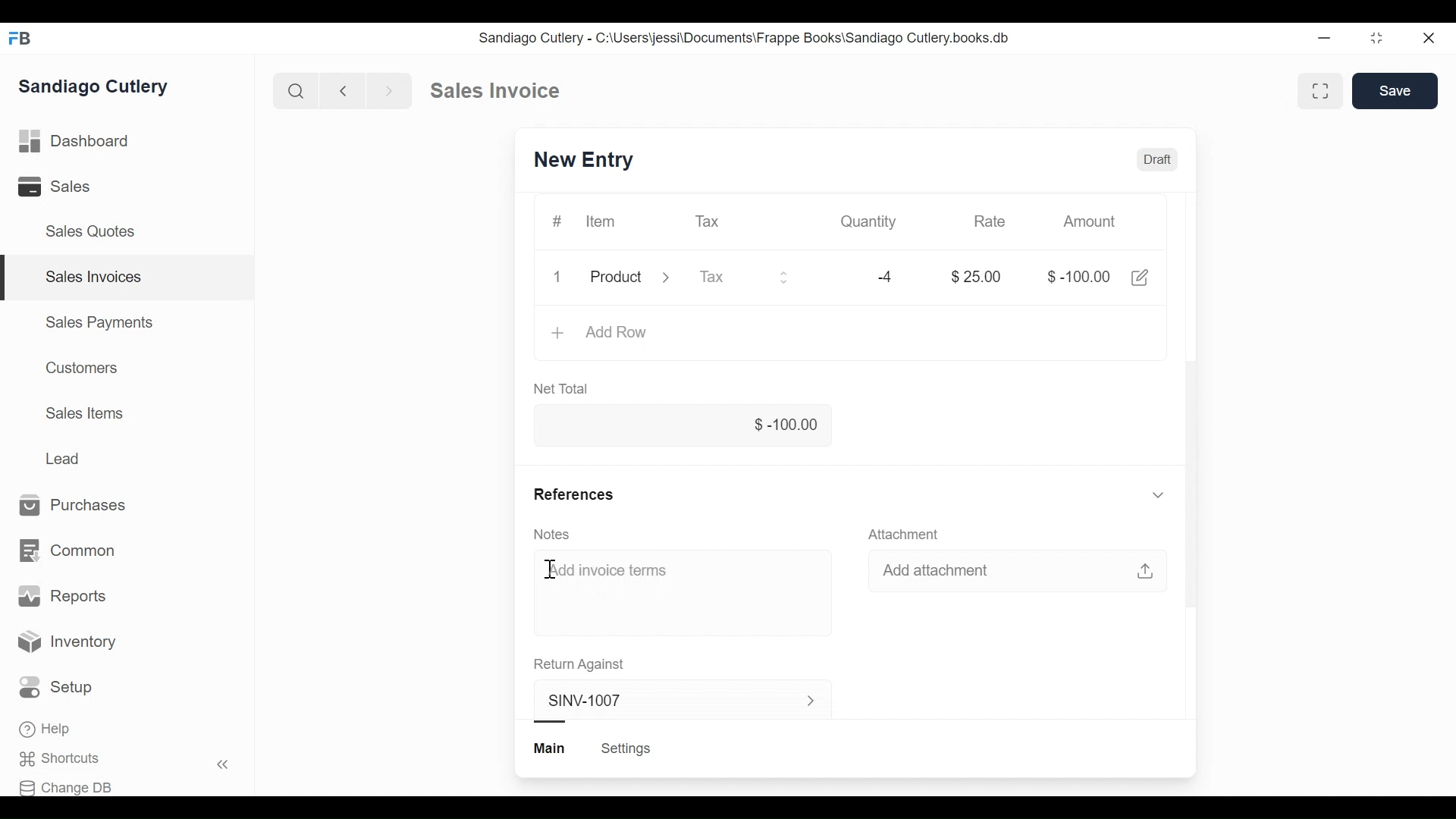 The height and width of the screenshot is (819, 1456). What do you see at coordinates (93, 231) in the screenshot?
I see `Sales Quotes` at bounding box center [93, 231].